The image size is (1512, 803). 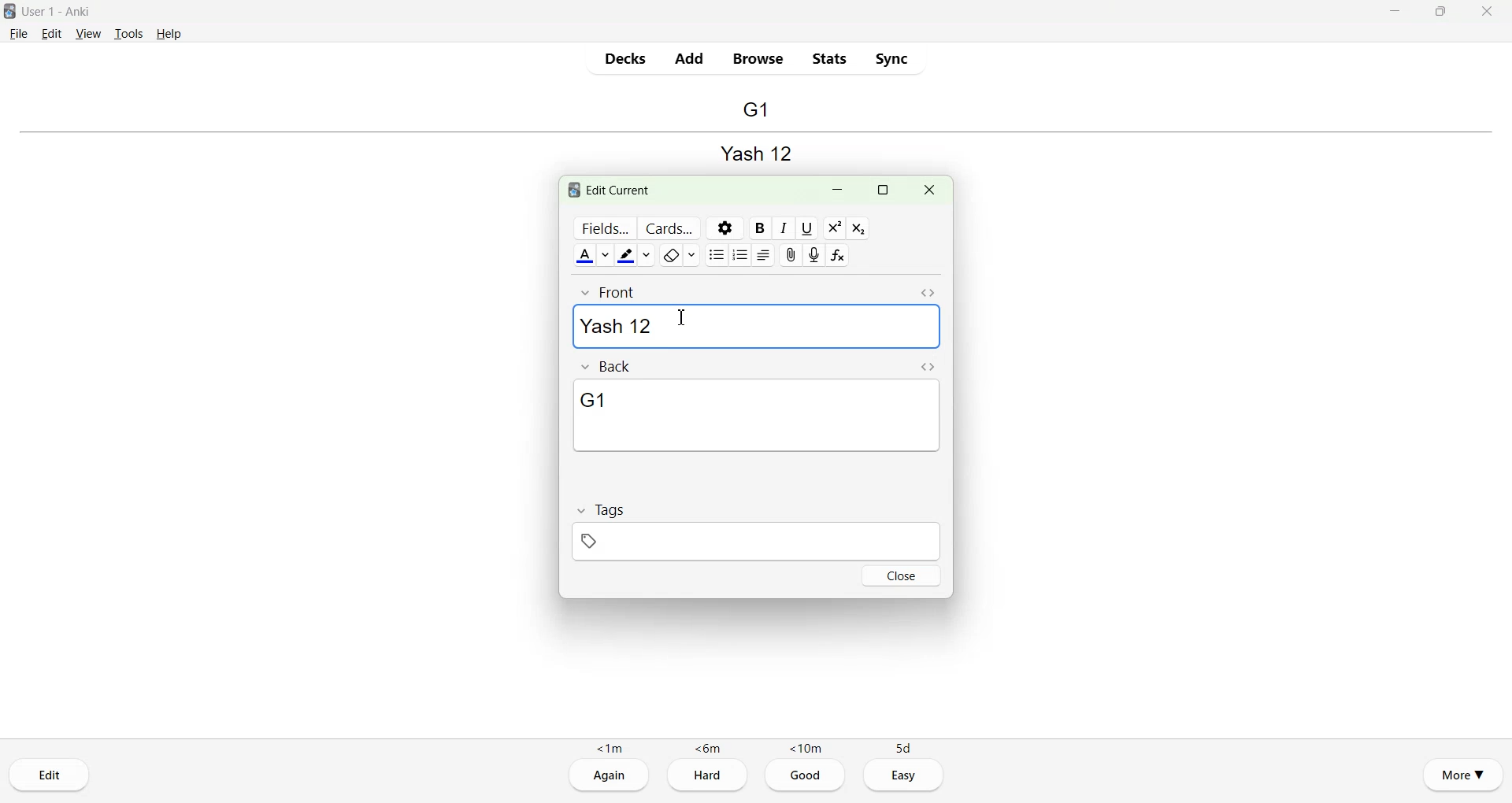 I want to click on More, so click(x=1463, y=773).